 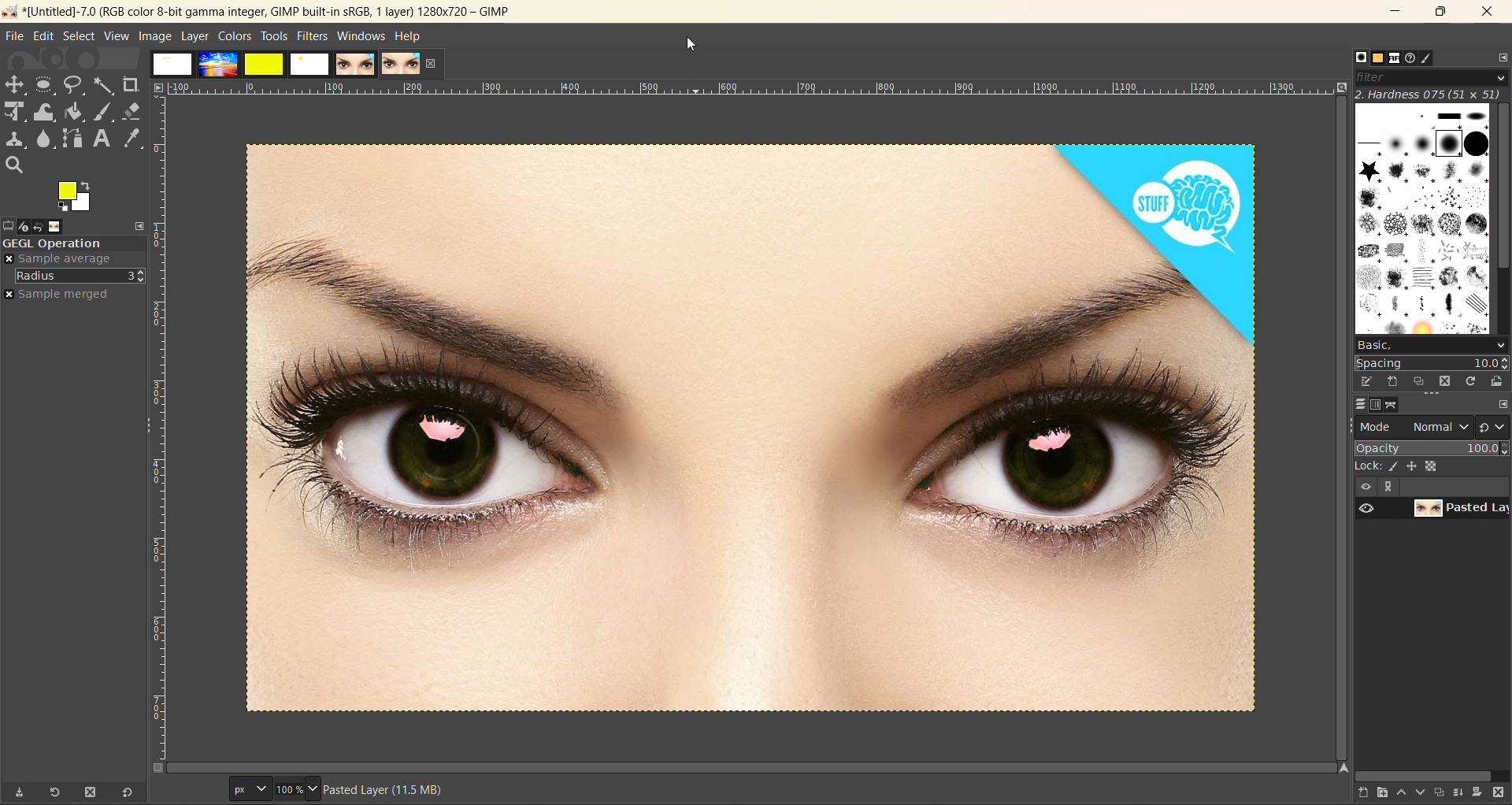 I want to click on fuzzy text, so click(x=105, y=86).